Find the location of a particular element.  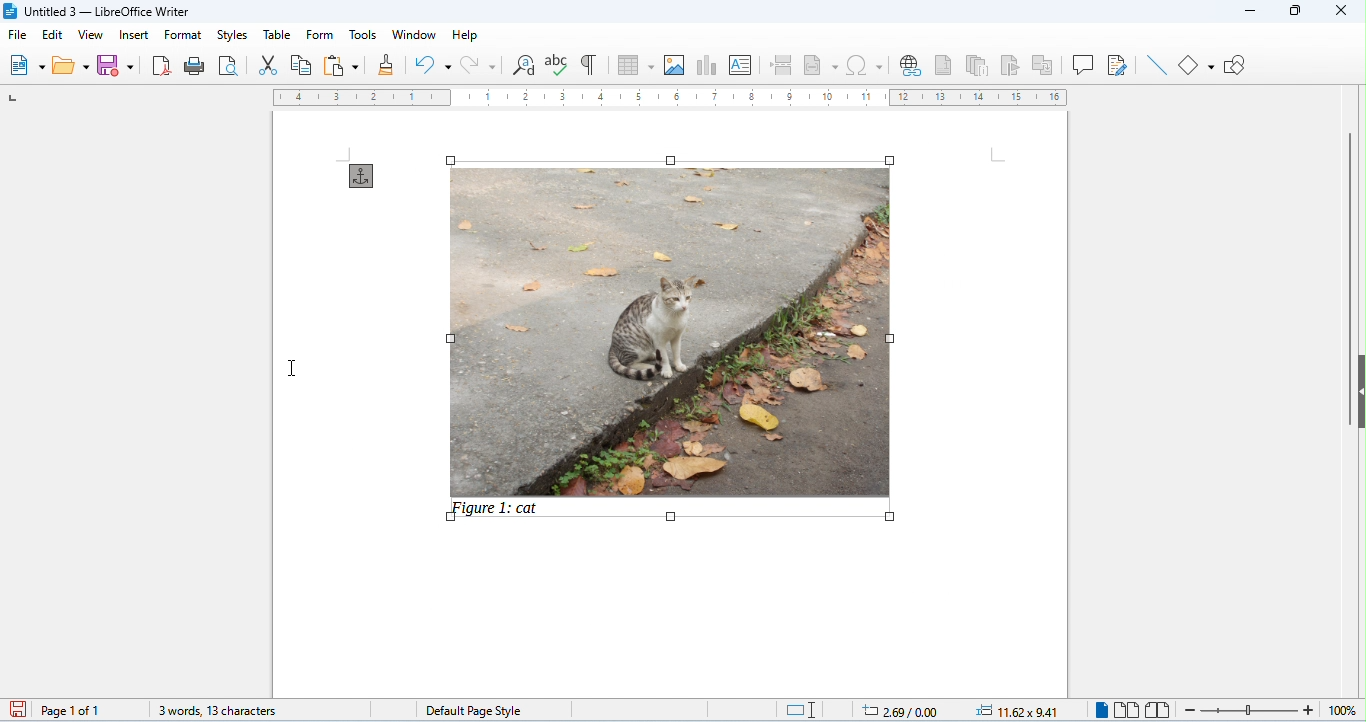

insert field is located at coordinates (821, 65).